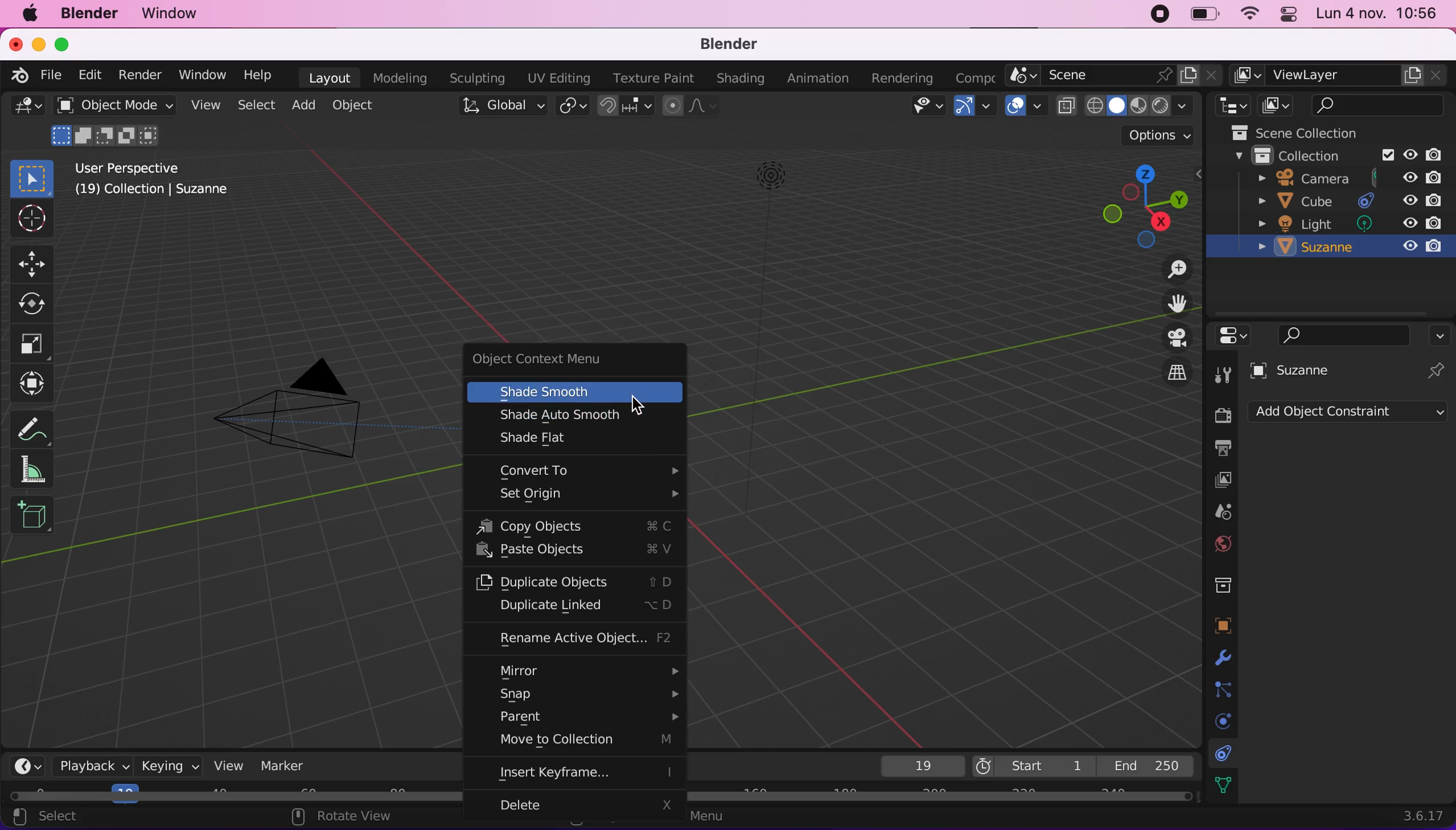 This screenshot has width=1456, height=830. I want to click on editor type, so click(1229, 106).